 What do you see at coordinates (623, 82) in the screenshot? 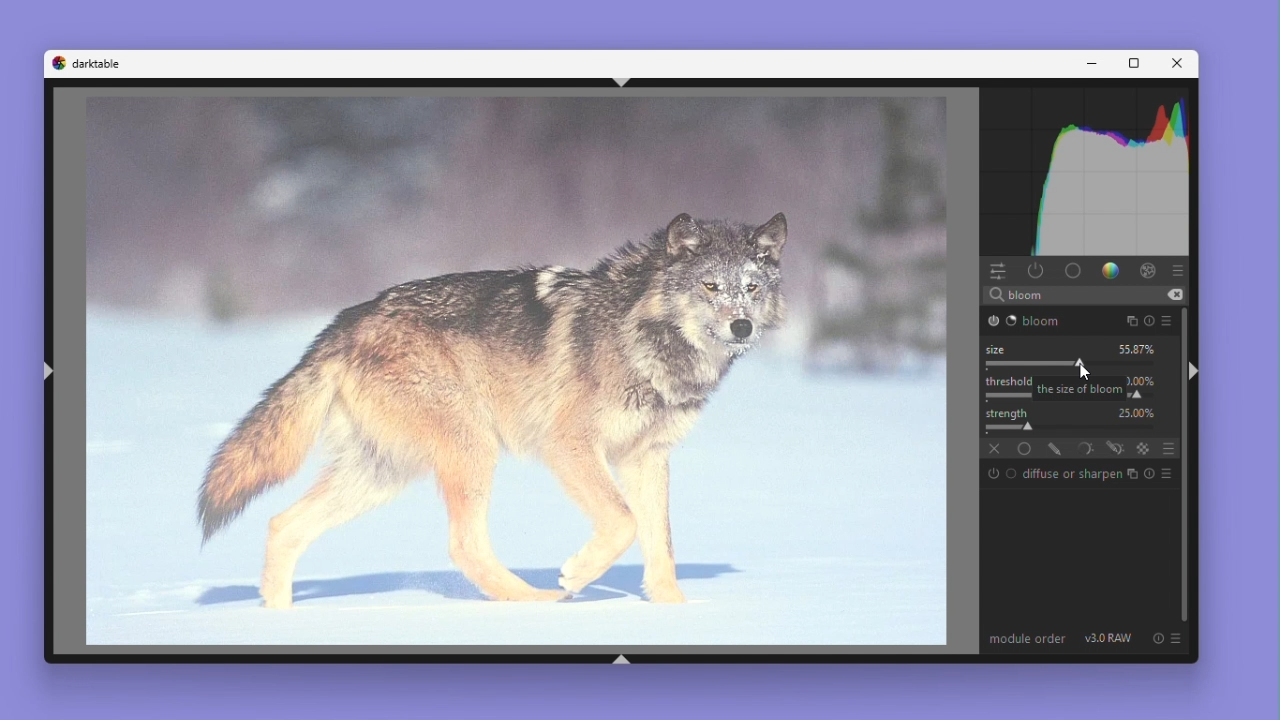
I see `shift+ctrl+t` at bounding box center [623, 82].